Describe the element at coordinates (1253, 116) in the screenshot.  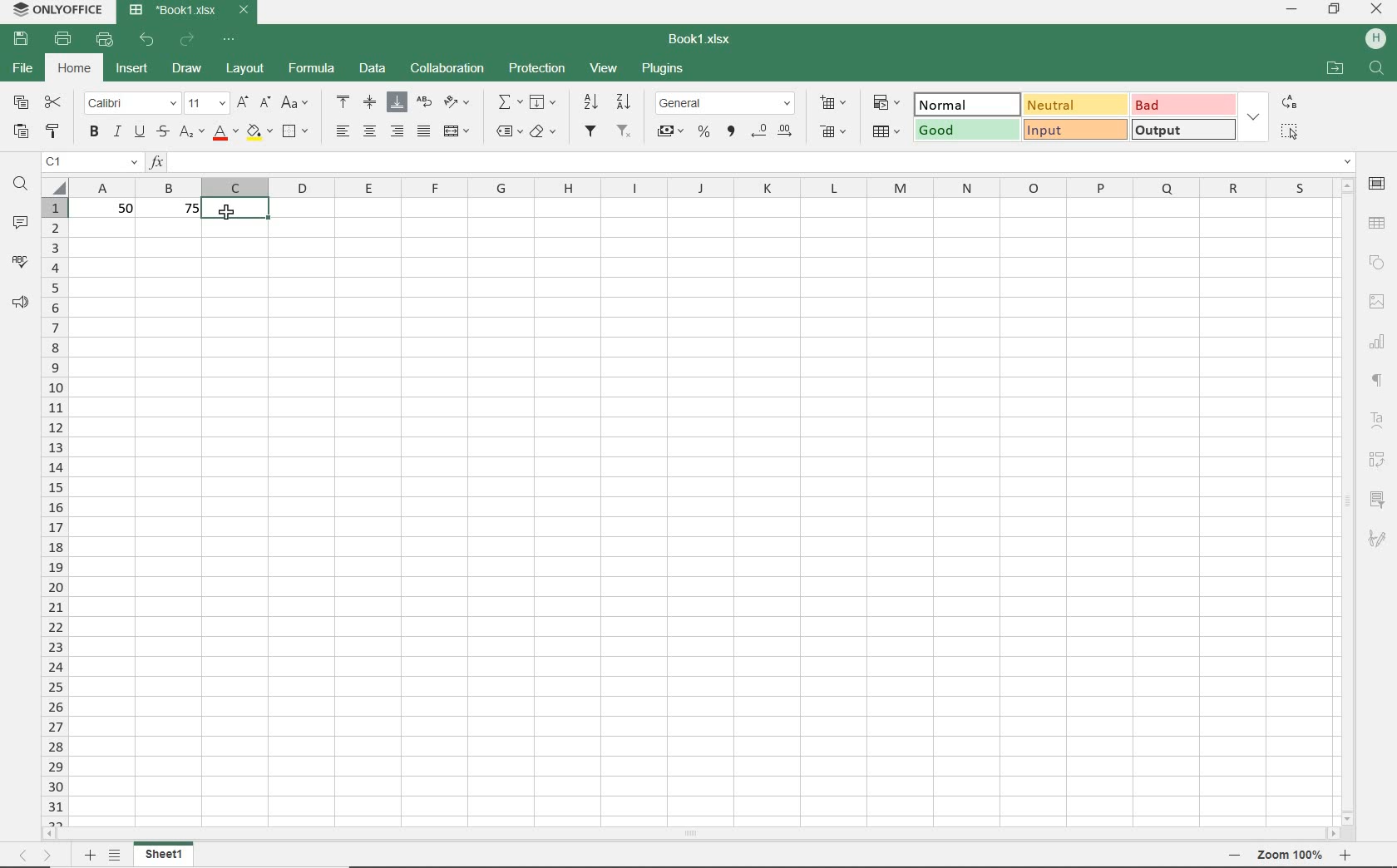
I see `expand` at that location.